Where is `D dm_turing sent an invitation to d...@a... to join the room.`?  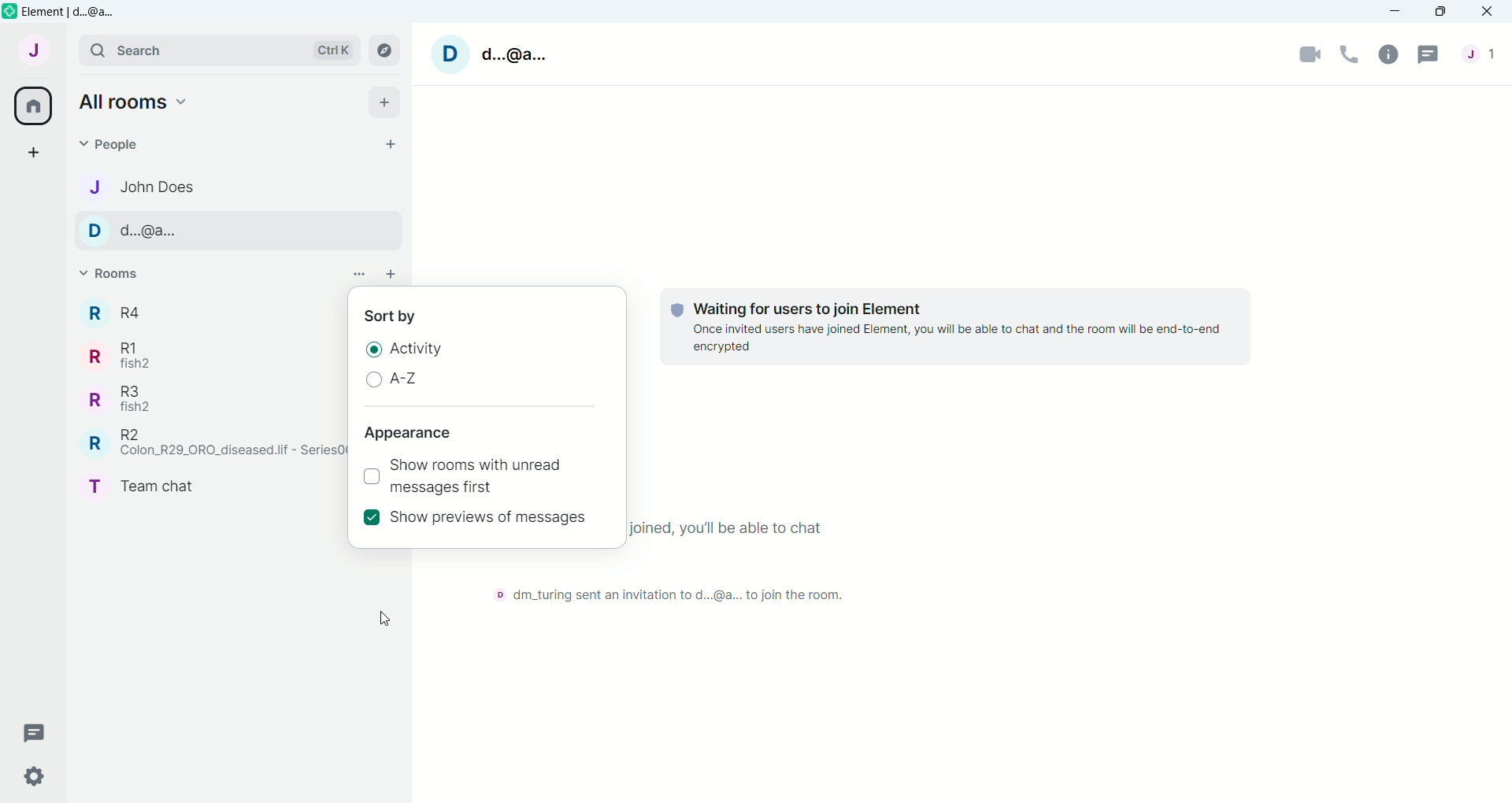
D dm_turing sent an invitation to d...@a... to join the room. is located at coordinates (676, 594).